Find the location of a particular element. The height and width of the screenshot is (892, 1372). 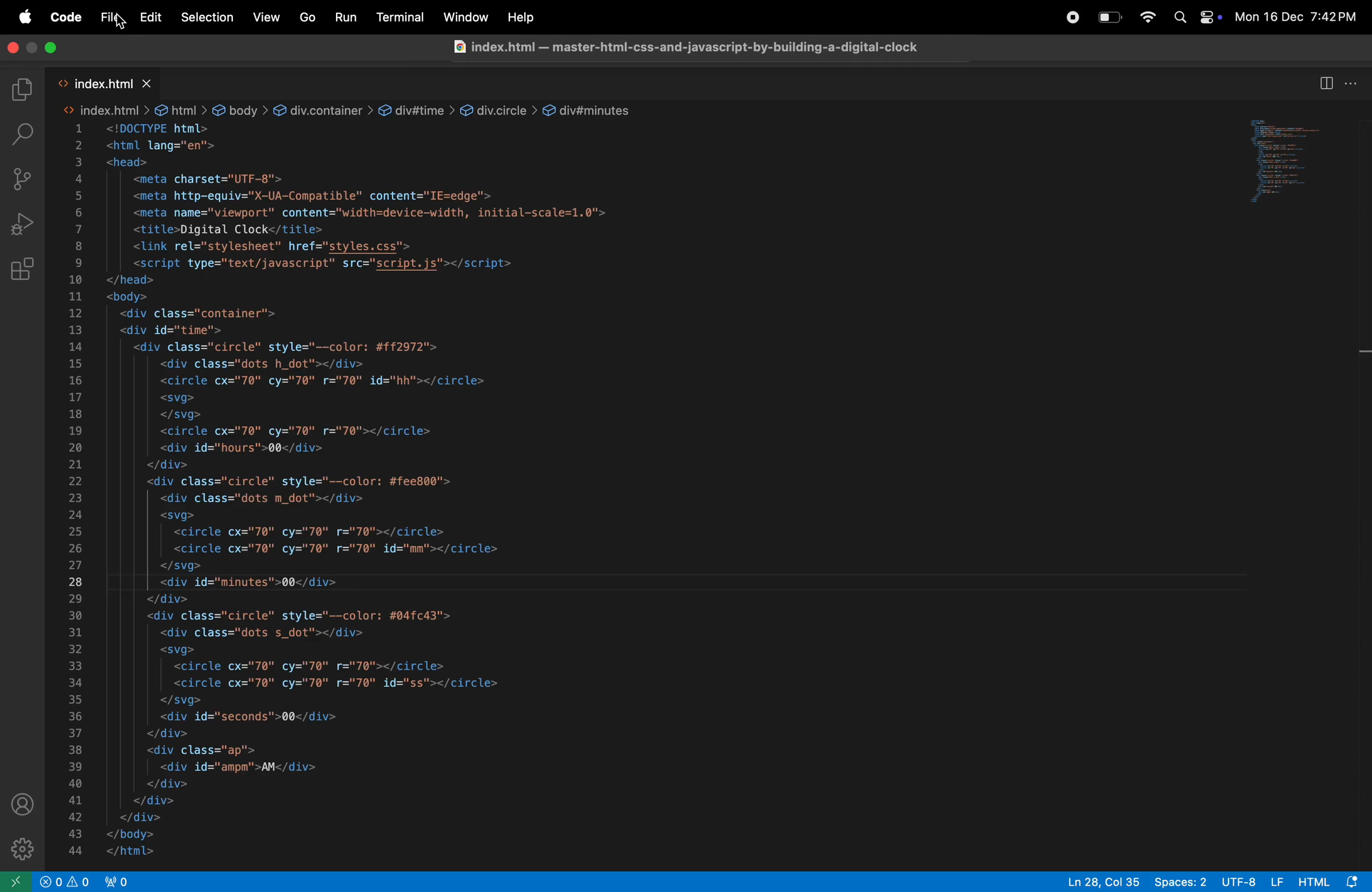

battery is located at coordinates (1109, 17).